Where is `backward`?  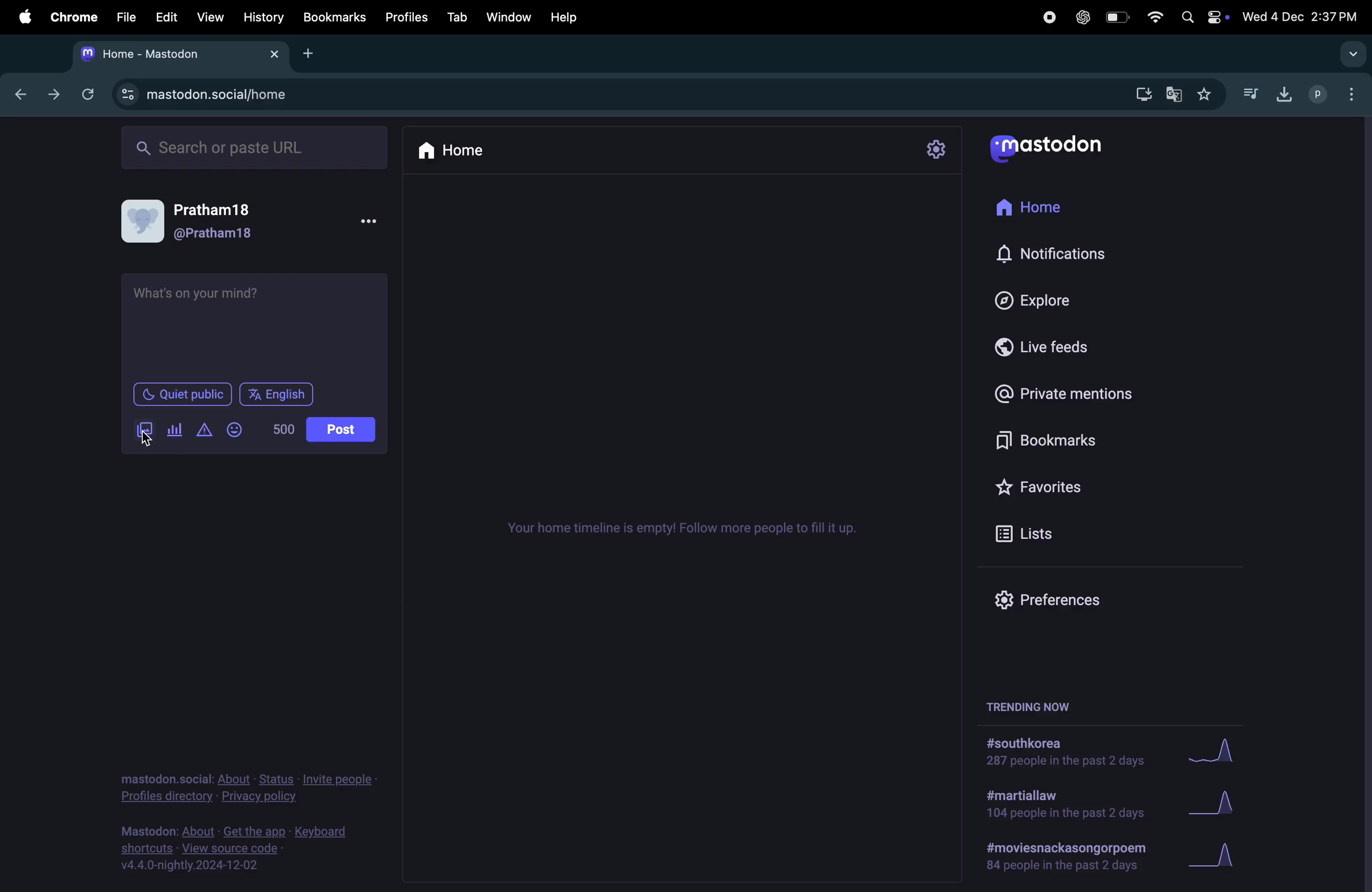
backward is located at coordinates (21, 92).